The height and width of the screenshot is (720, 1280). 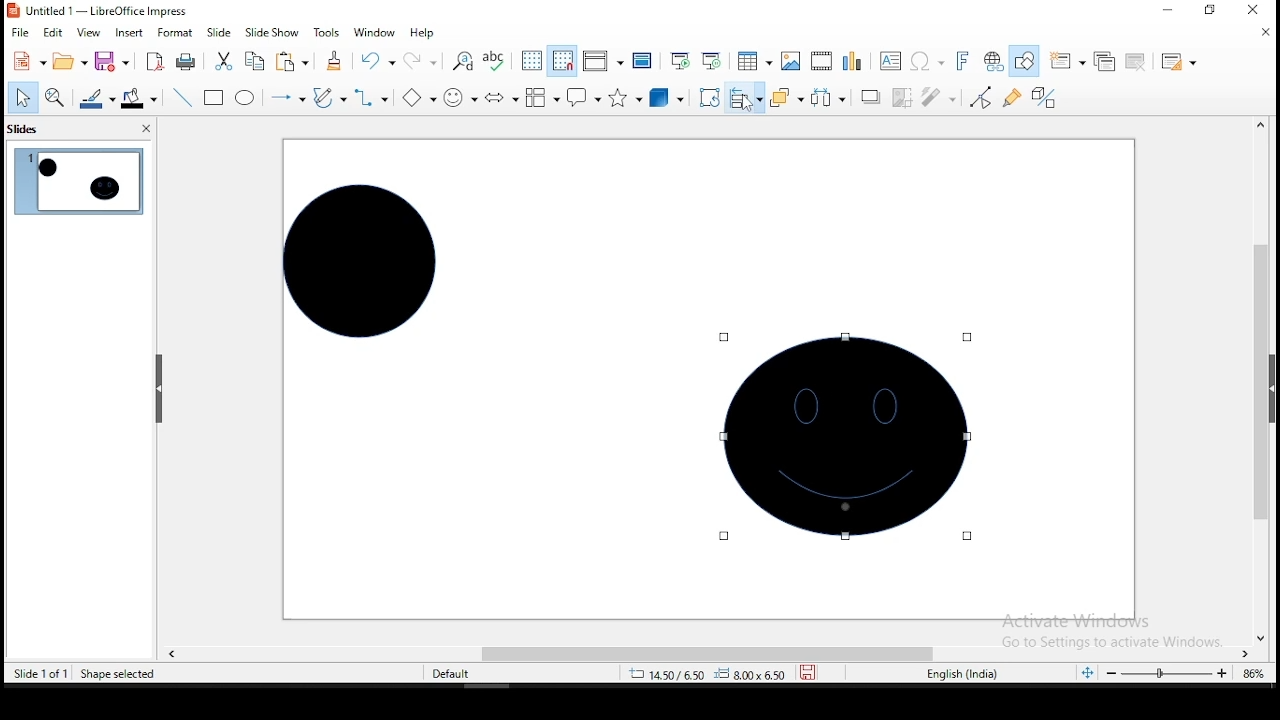 What do you see at coordinates (1209, 12) in the screenshot?
I see `restore` at bounding box center [1209, 12].